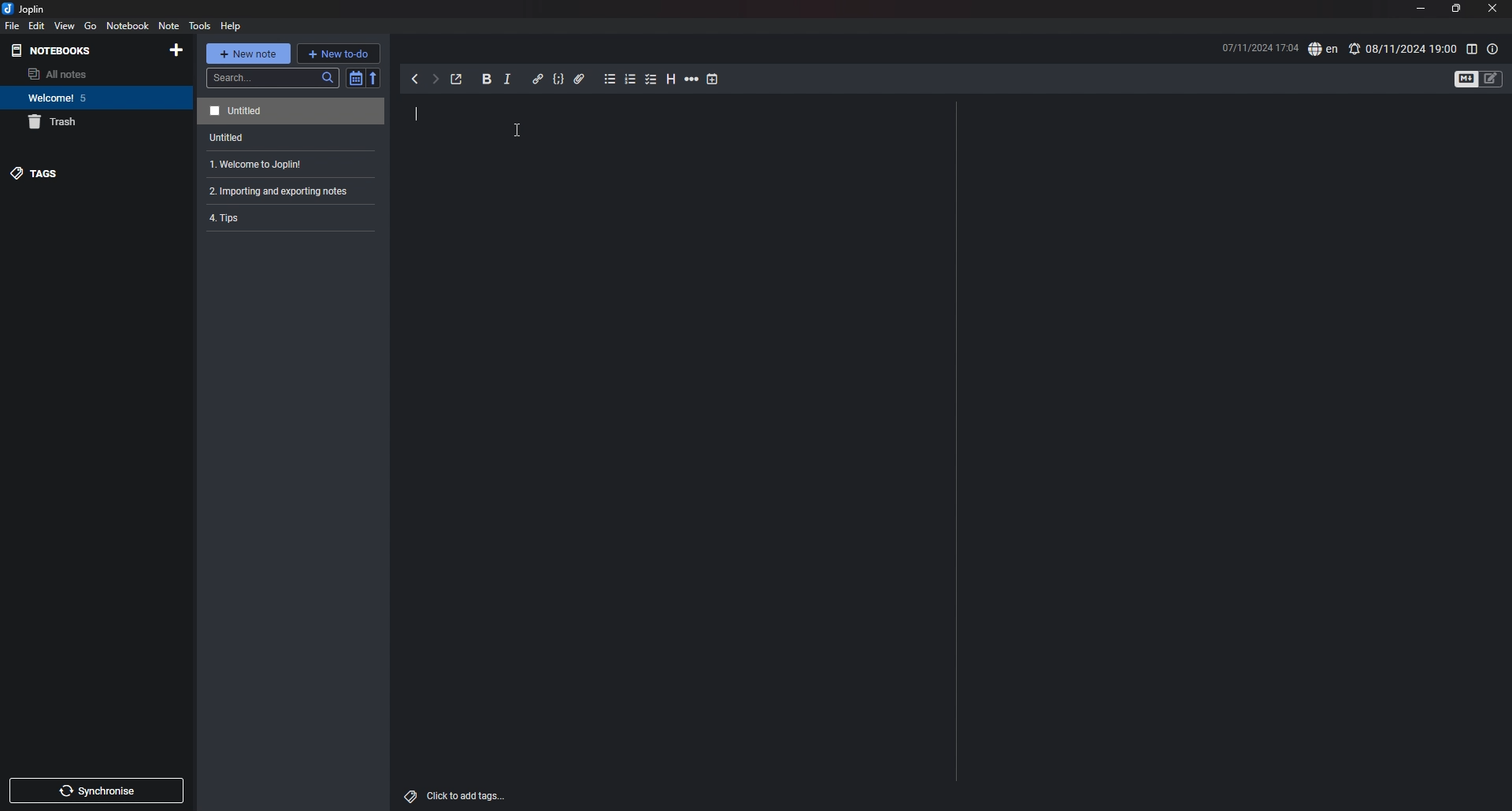 Image resolution: width=1512 pixels, height=811 pixels. I want to click on trash, so click(87, 122).